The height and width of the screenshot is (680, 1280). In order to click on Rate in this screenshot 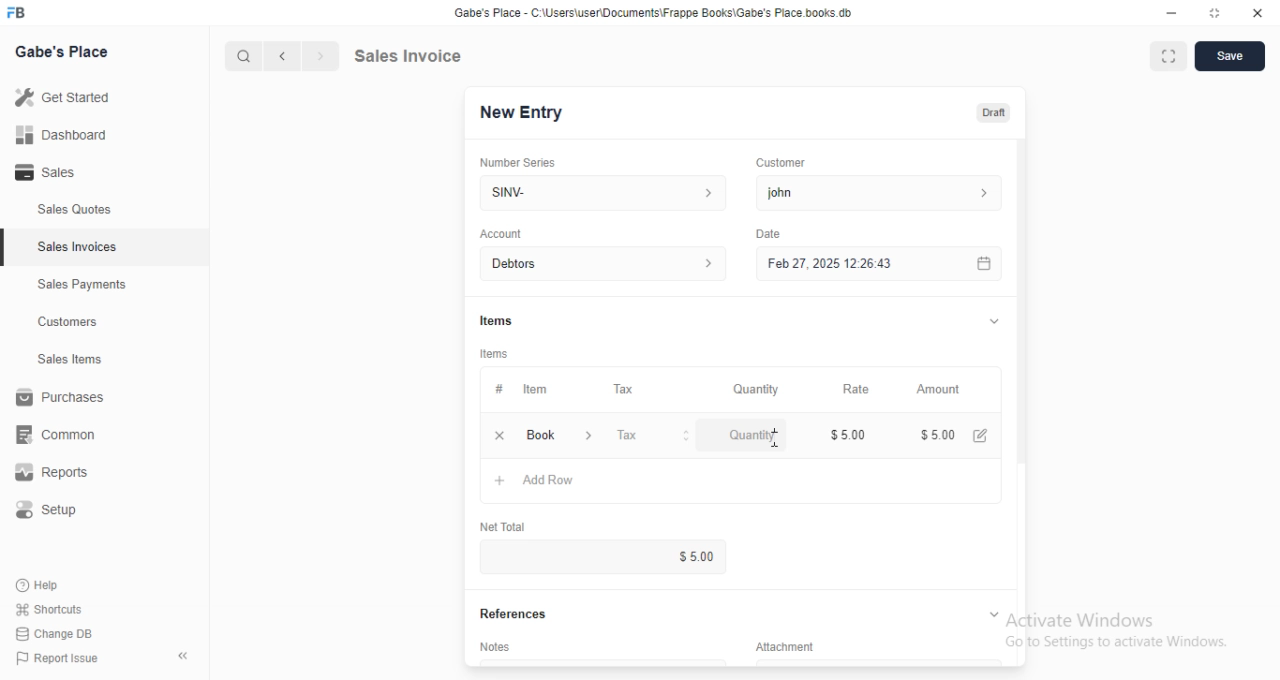, I will do `click(861, 388)`.